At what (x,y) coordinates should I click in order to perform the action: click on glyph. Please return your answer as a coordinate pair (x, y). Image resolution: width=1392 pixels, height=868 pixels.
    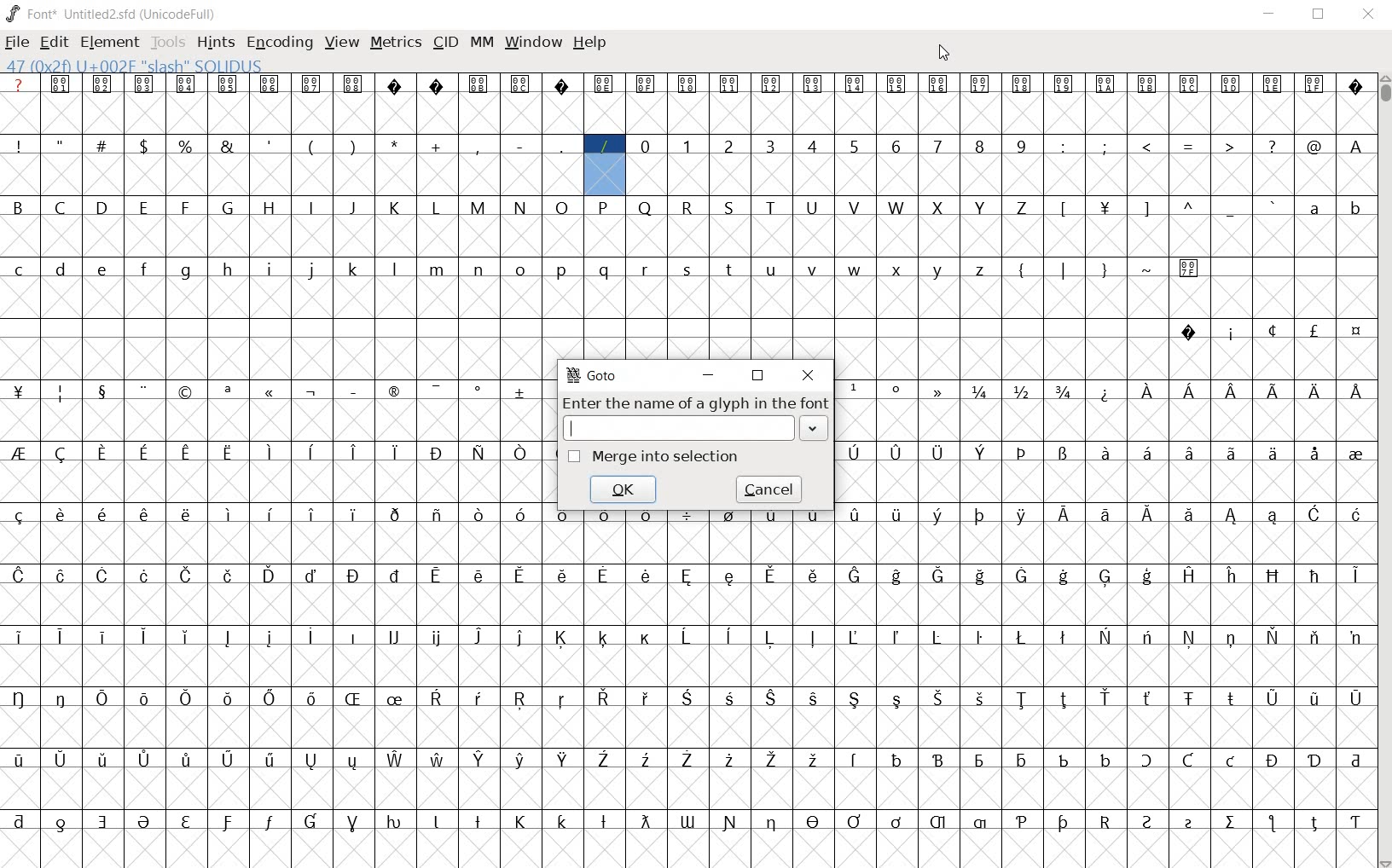
    Looking at the image, I should click on (769, 146).